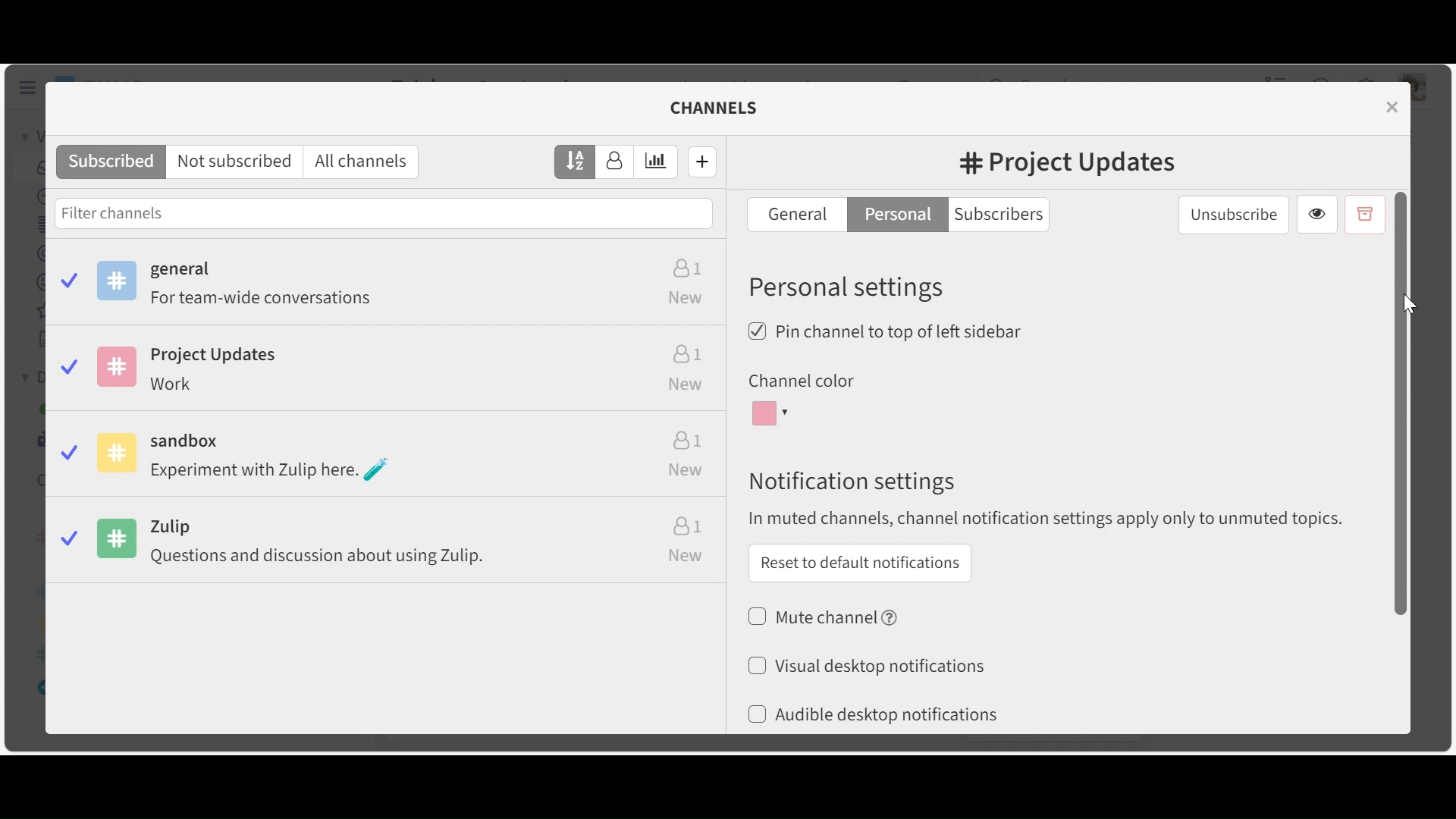  What do you see at coordinates (1317, 216) in the screenshot?
I see `View channel` at bounding box center [1317, 216].